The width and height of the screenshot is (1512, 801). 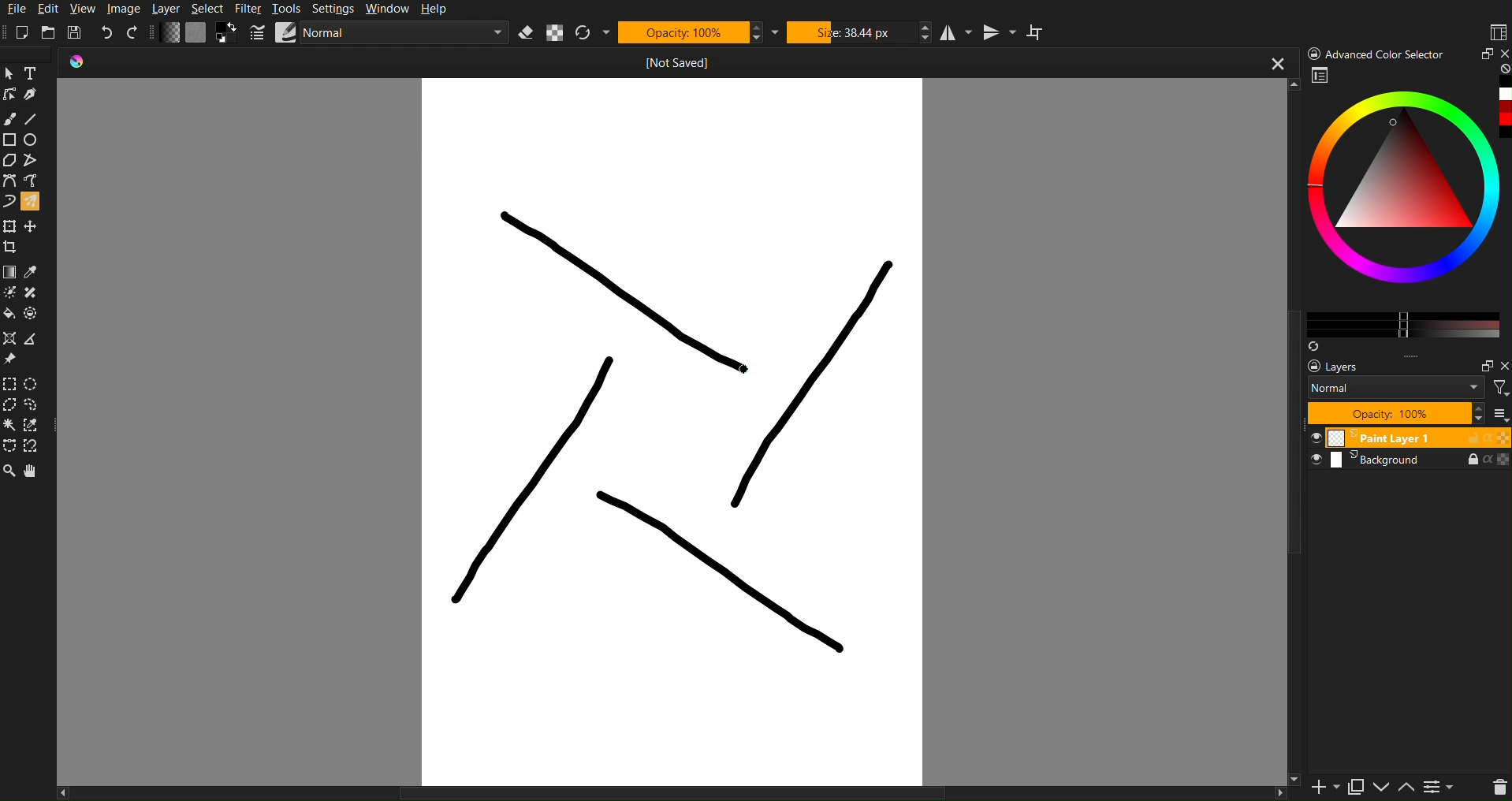 What do you see at coordinates (1276, 65) in the screenshot?
I see `close` at bounding box center [1276, 65].